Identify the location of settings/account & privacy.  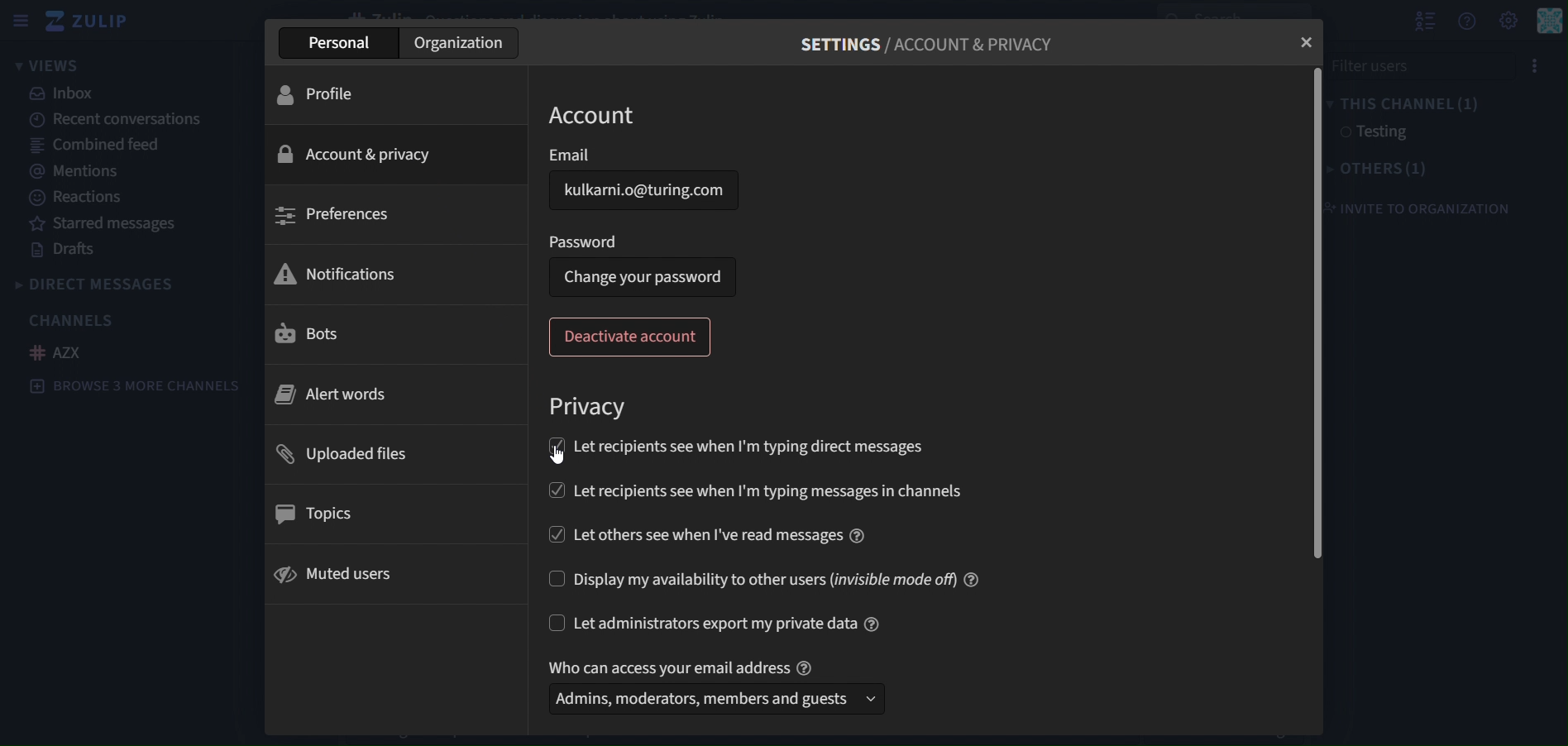
(923, 41).